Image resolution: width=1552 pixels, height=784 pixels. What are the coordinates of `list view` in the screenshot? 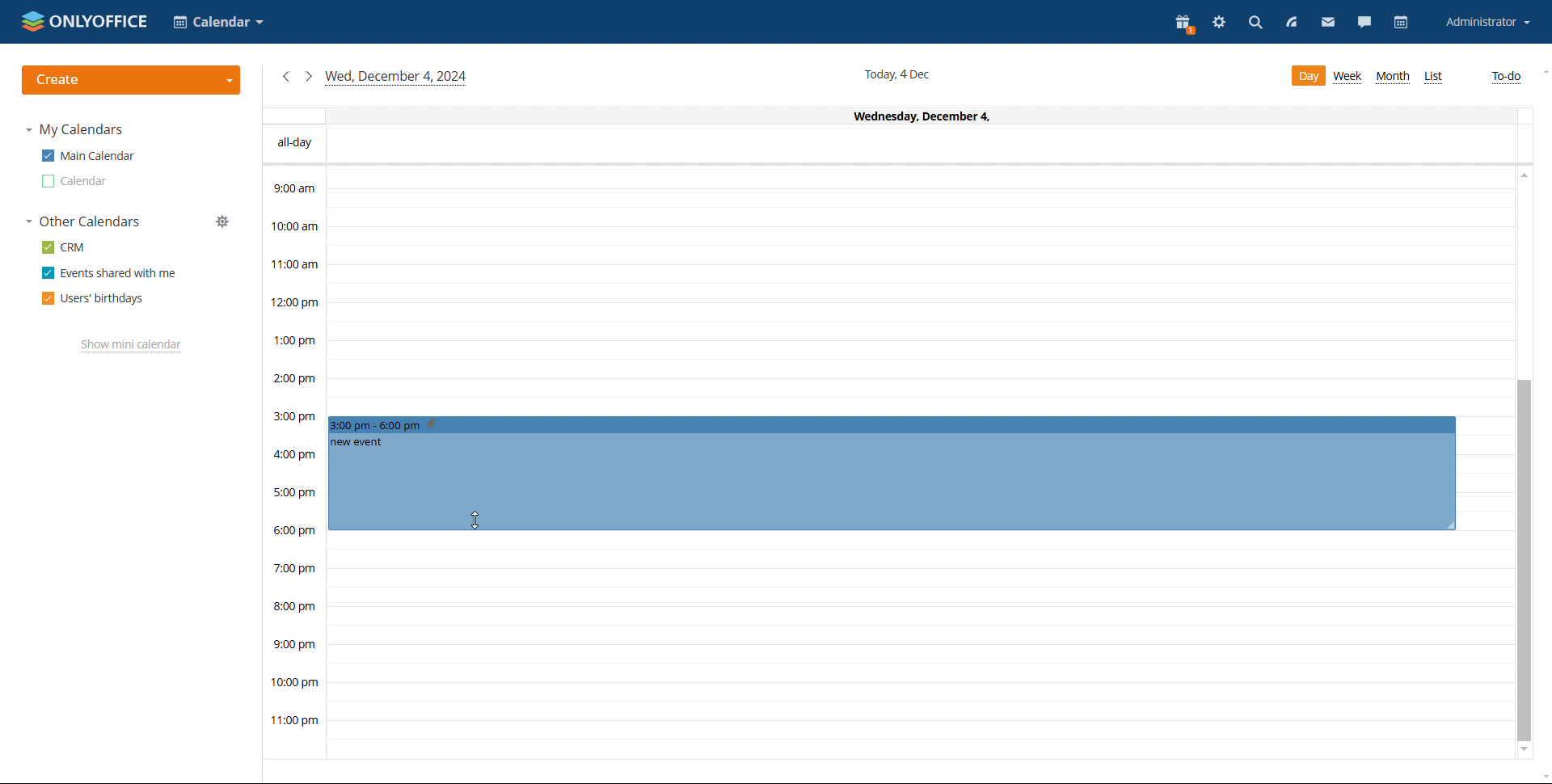 It's located at (1432, 78).